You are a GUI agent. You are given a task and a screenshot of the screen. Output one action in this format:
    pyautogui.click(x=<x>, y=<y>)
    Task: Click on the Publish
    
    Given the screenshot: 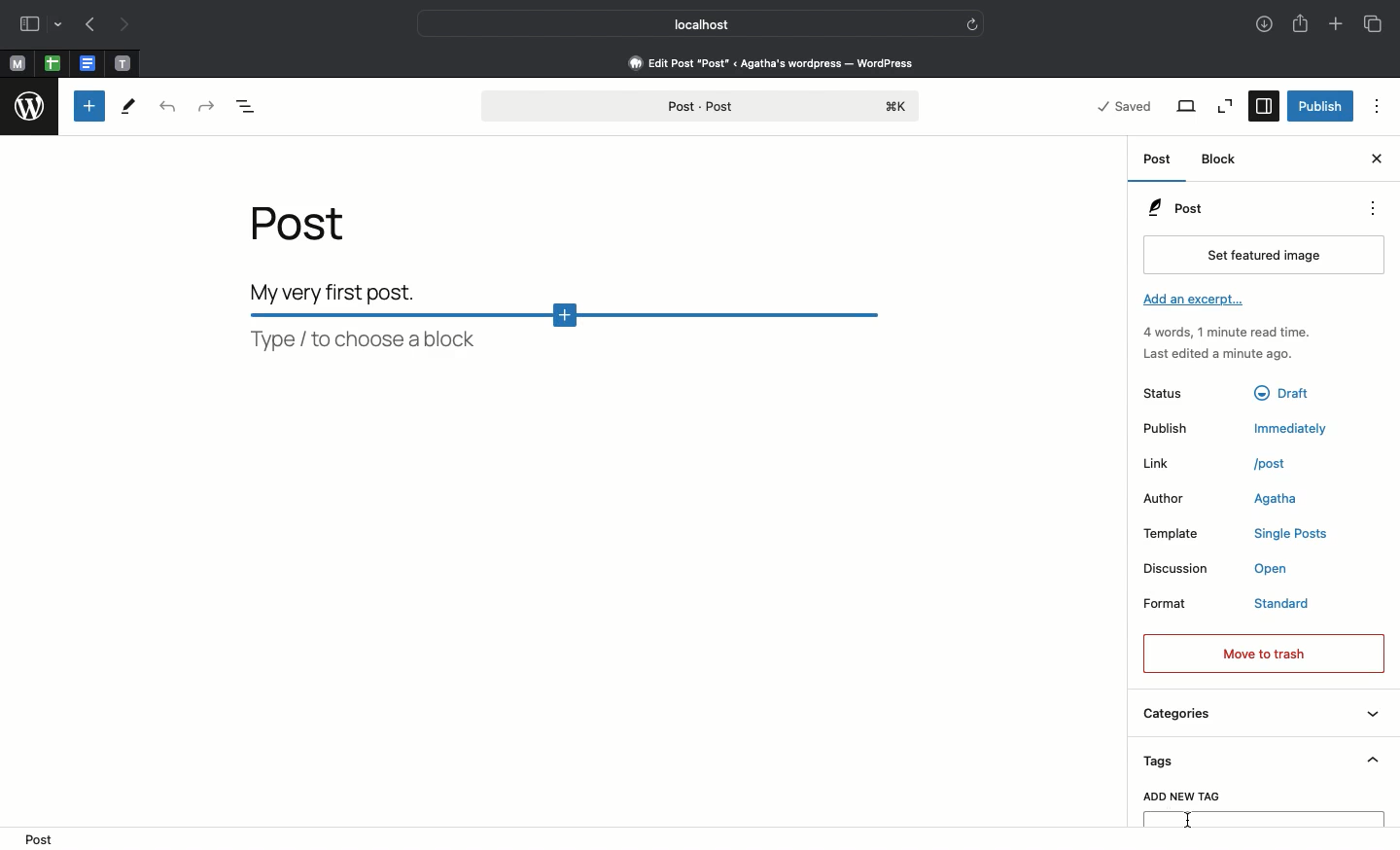 What is the action you would take?
    pyautogui.click(x=1319, y=105)
    